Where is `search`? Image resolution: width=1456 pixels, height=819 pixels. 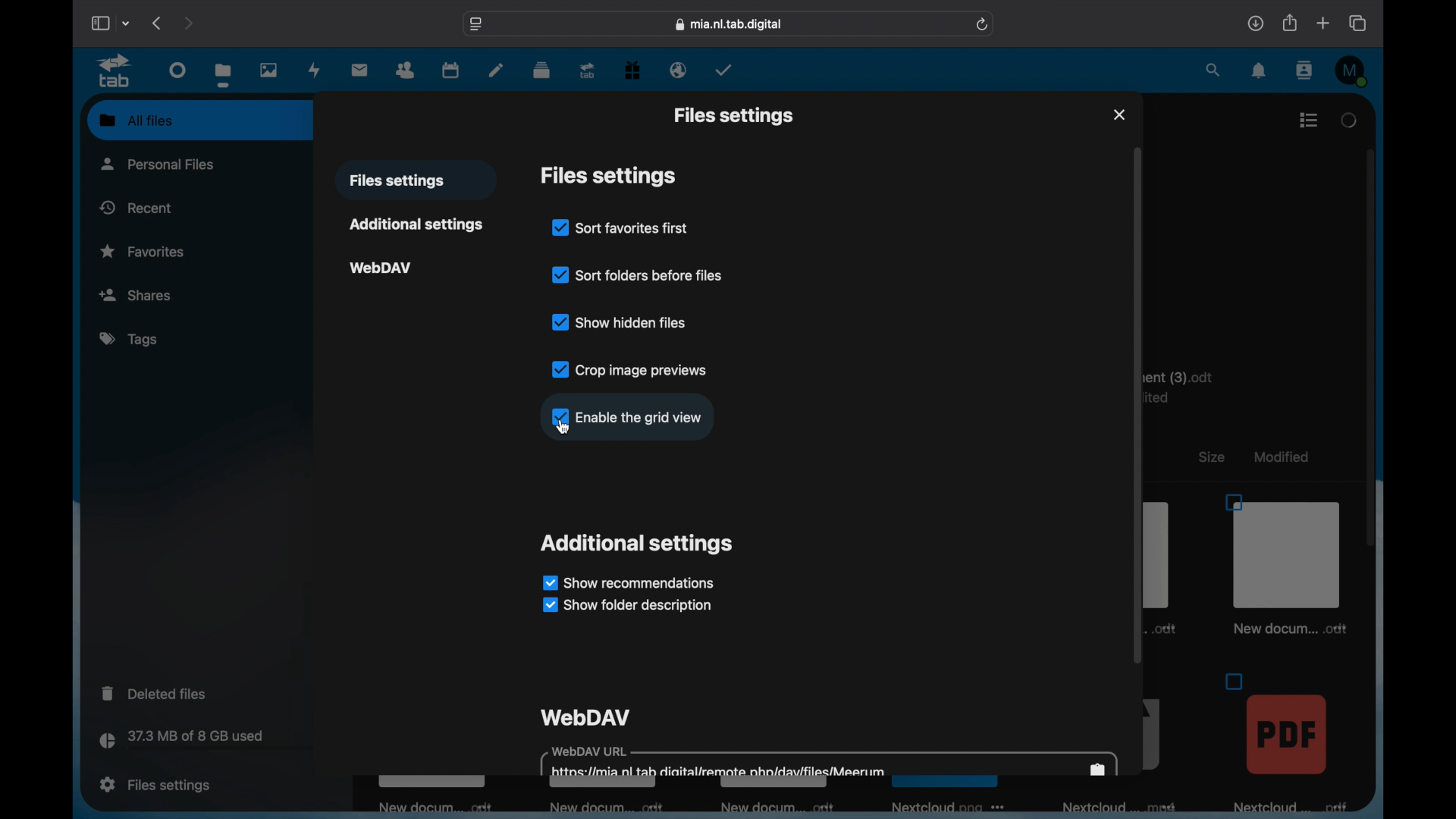
search is located at coordinates (1212, 70).